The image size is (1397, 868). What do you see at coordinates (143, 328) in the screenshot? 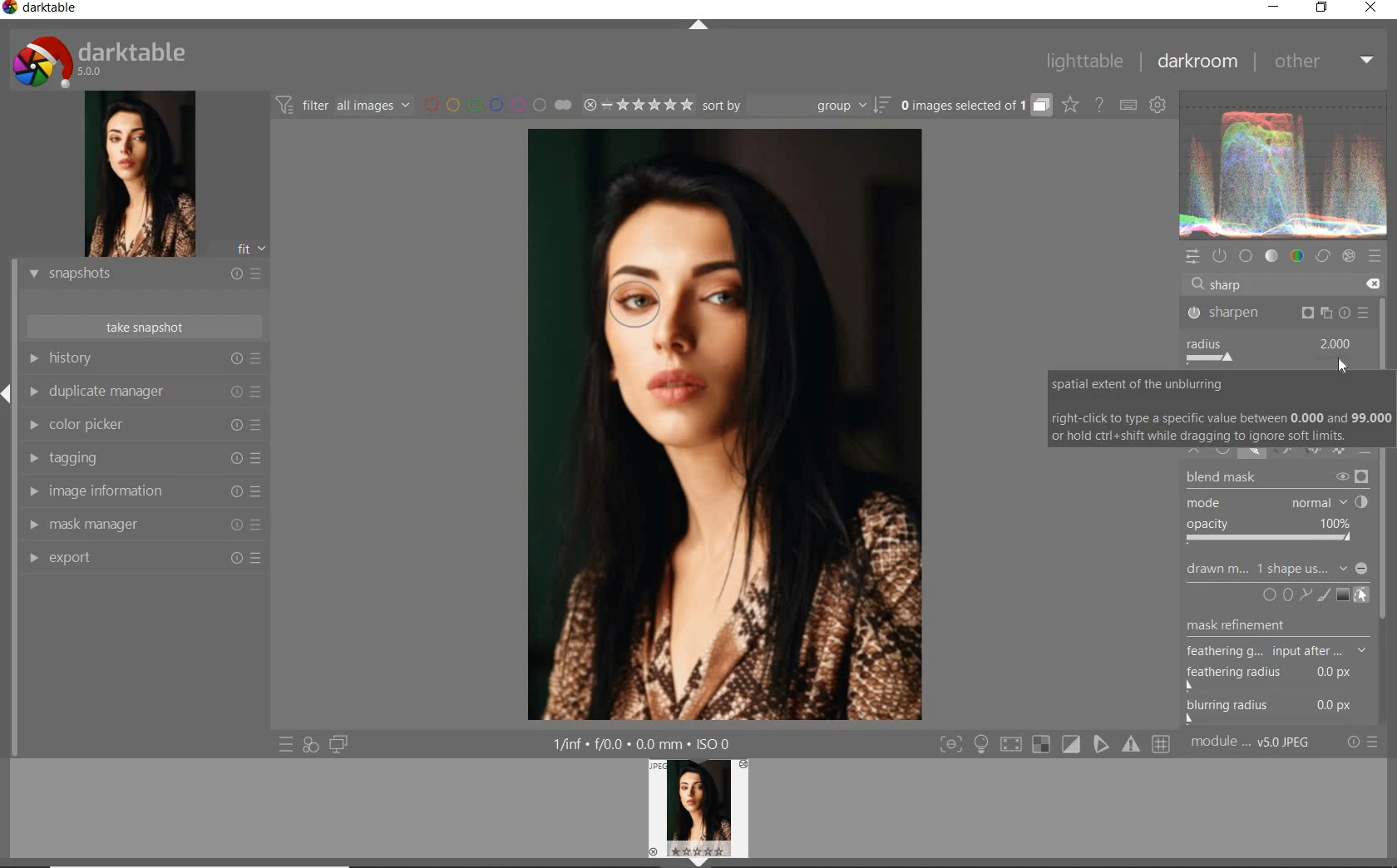
I see `take snapshot` at bounding box center [143, 328].